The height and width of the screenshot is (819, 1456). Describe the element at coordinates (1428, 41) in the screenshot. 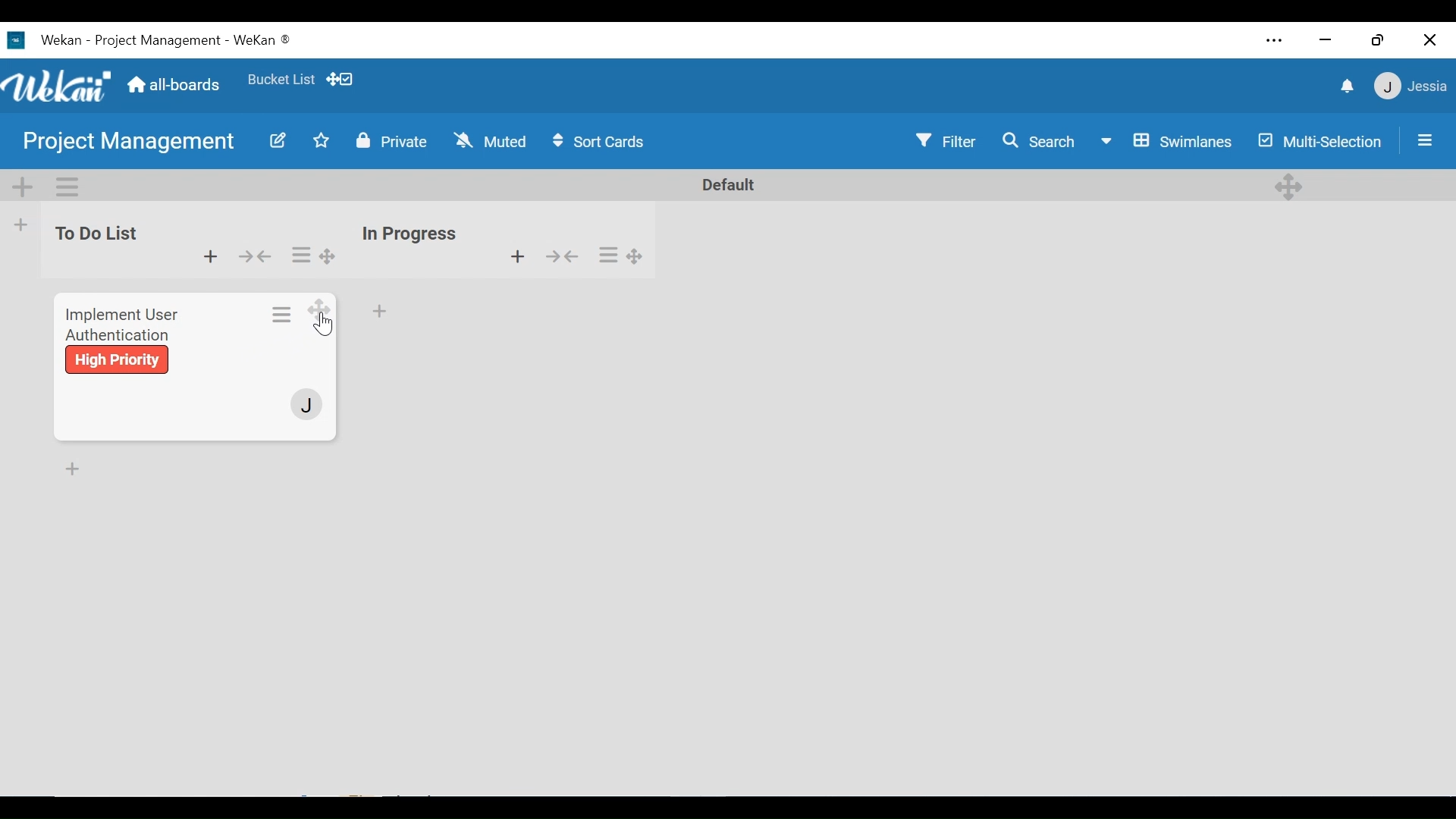

I see `Close` at that location.